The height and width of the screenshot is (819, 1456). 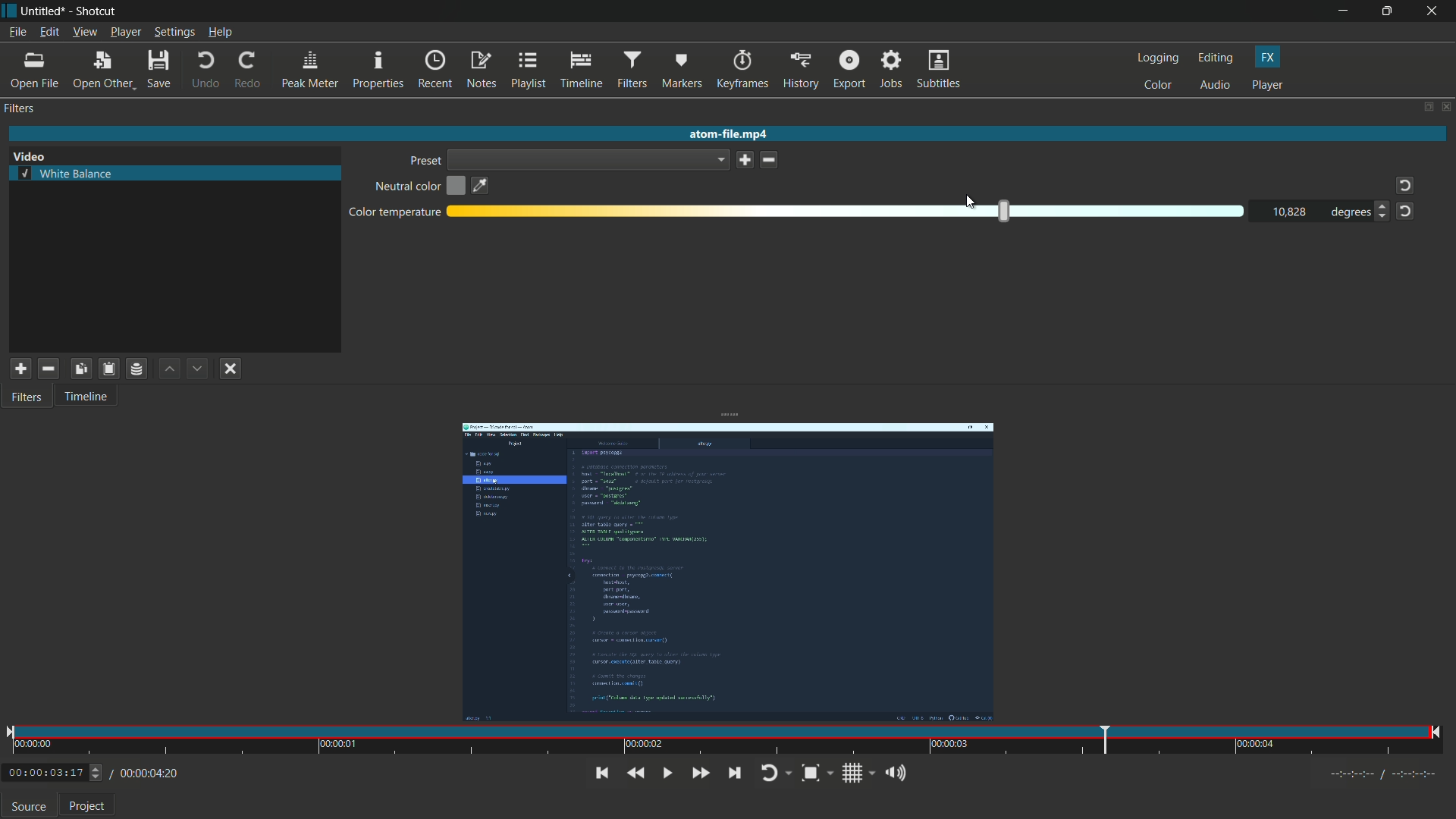 I want to click on timeline, so click(x=580, y=71).